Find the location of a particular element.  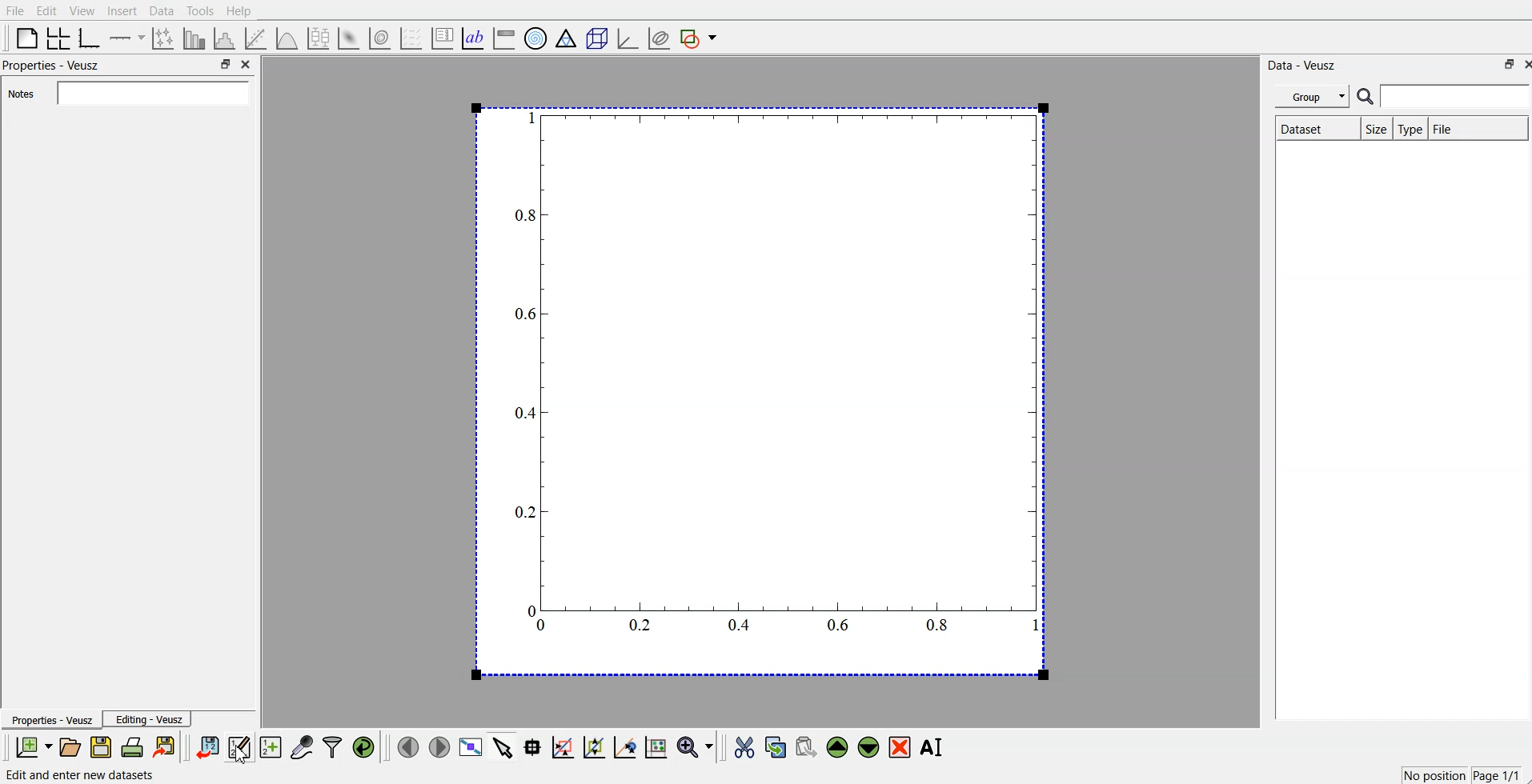

click to zoom out graph axes is located at coordinates (595, 748).